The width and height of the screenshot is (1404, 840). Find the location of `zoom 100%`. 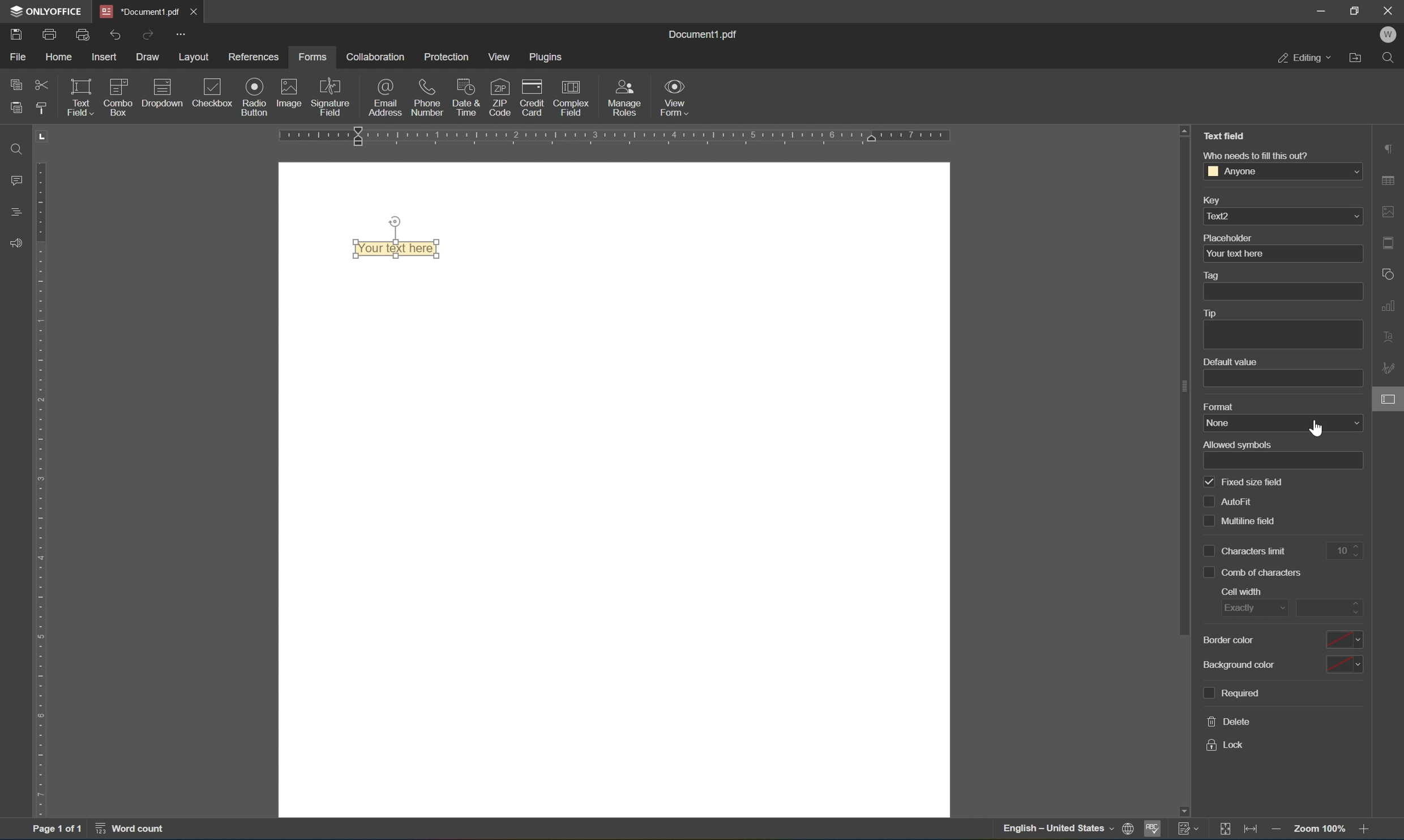

zoom 100% is located at coordinates (1318, 828).